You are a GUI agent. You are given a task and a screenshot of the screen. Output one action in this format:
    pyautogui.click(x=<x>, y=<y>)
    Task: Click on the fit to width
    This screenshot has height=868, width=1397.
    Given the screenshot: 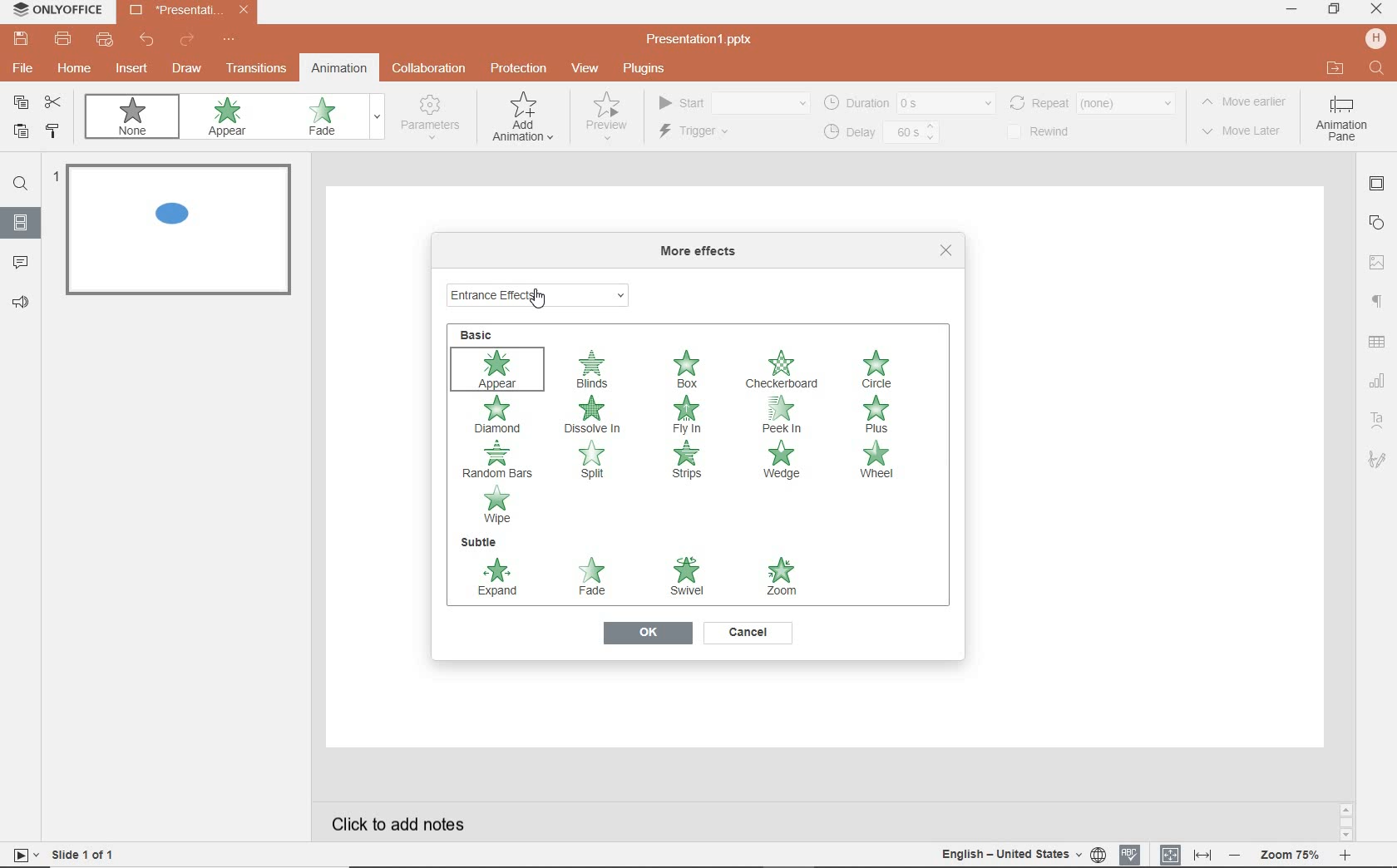 What is the action you would take?
    pyautogui.click(x=1204, y=853)
    